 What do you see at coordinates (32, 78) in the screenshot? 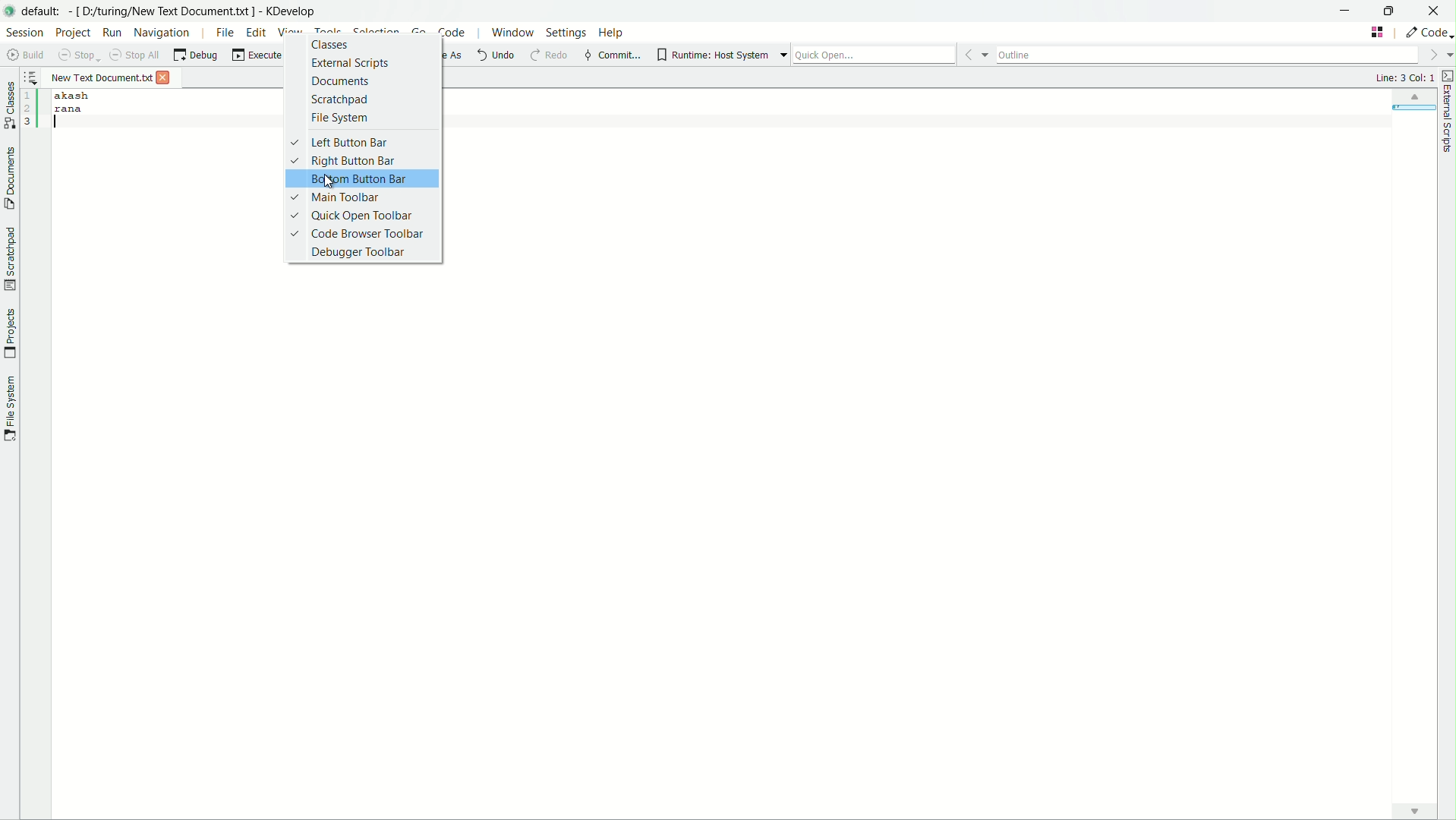
I see `show sorted list of opened documents` at bounding box center [32, 78].